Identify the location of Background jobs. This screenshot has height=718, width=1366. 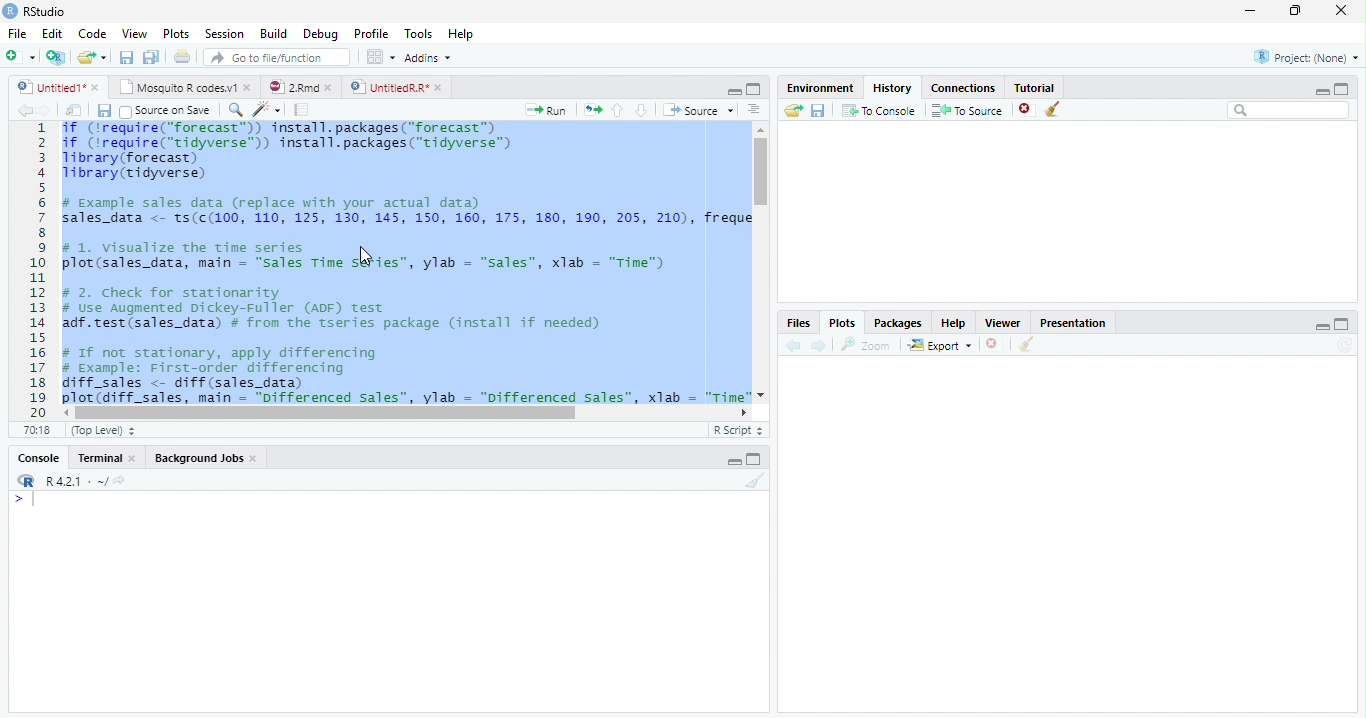
(206, 458).